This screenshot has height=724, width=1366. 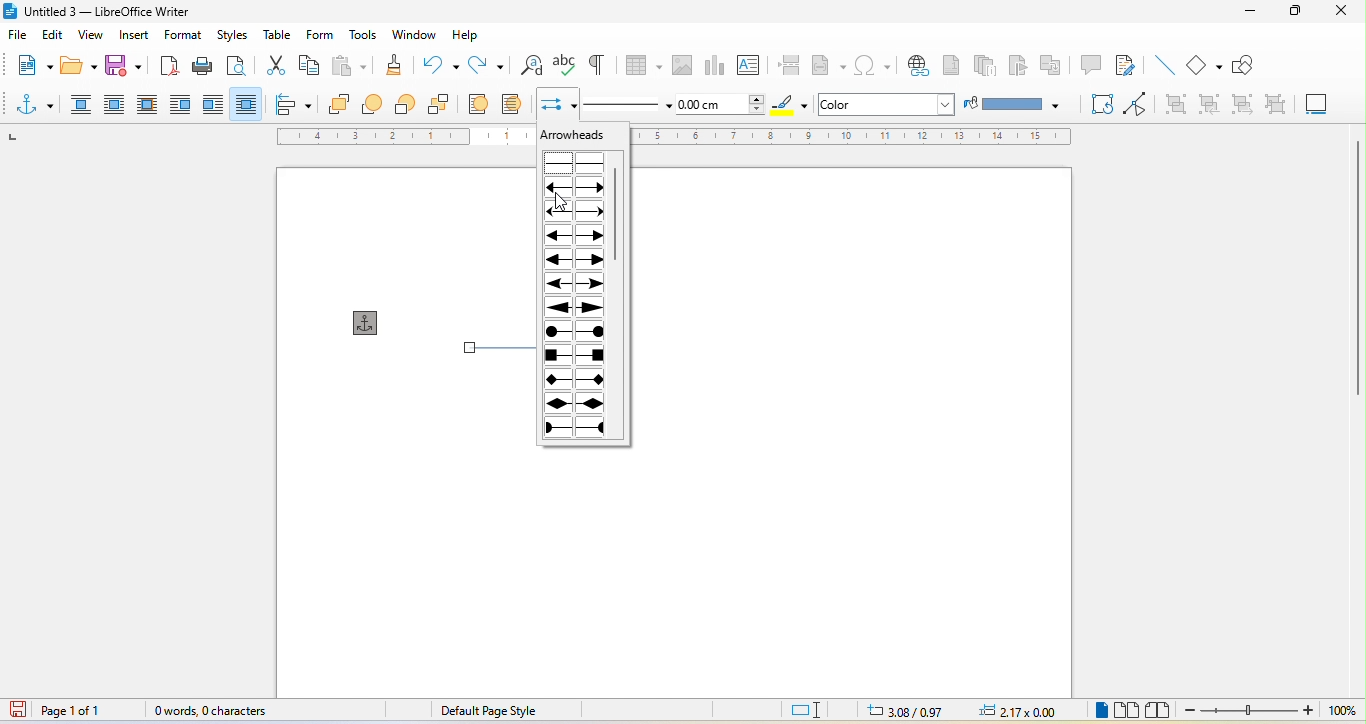 I want to click on none, so click(x=81, y=106).